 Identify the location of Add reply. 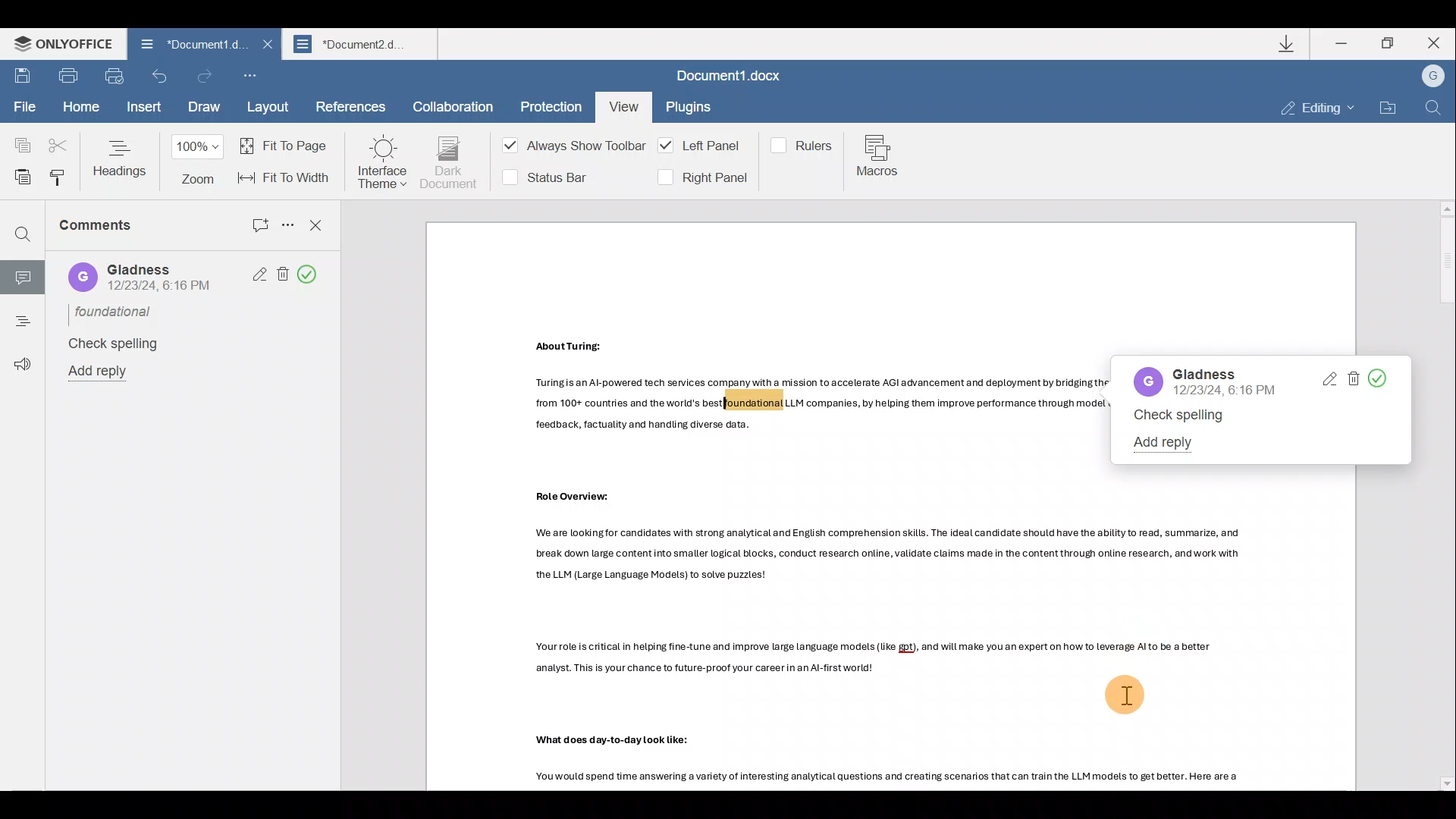
(104, 372).